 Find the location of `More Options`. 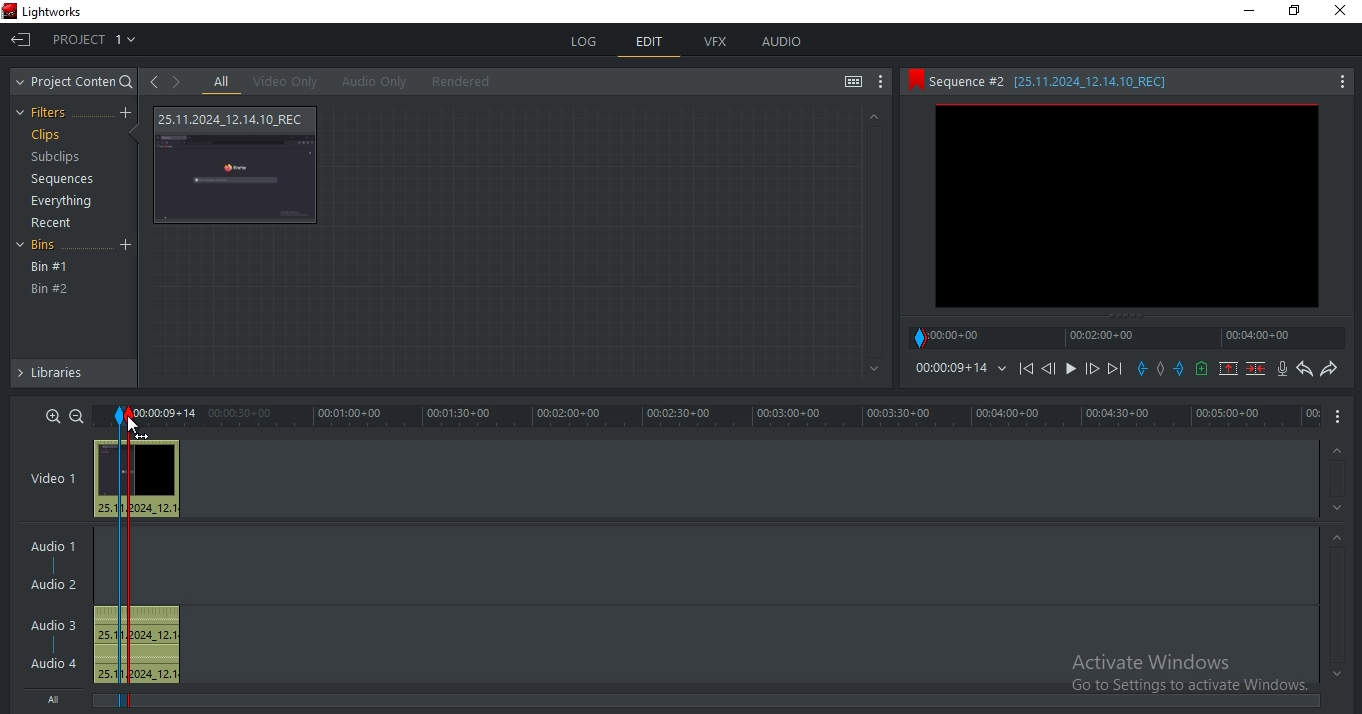

More Options is located at coordinates (1342, 417).